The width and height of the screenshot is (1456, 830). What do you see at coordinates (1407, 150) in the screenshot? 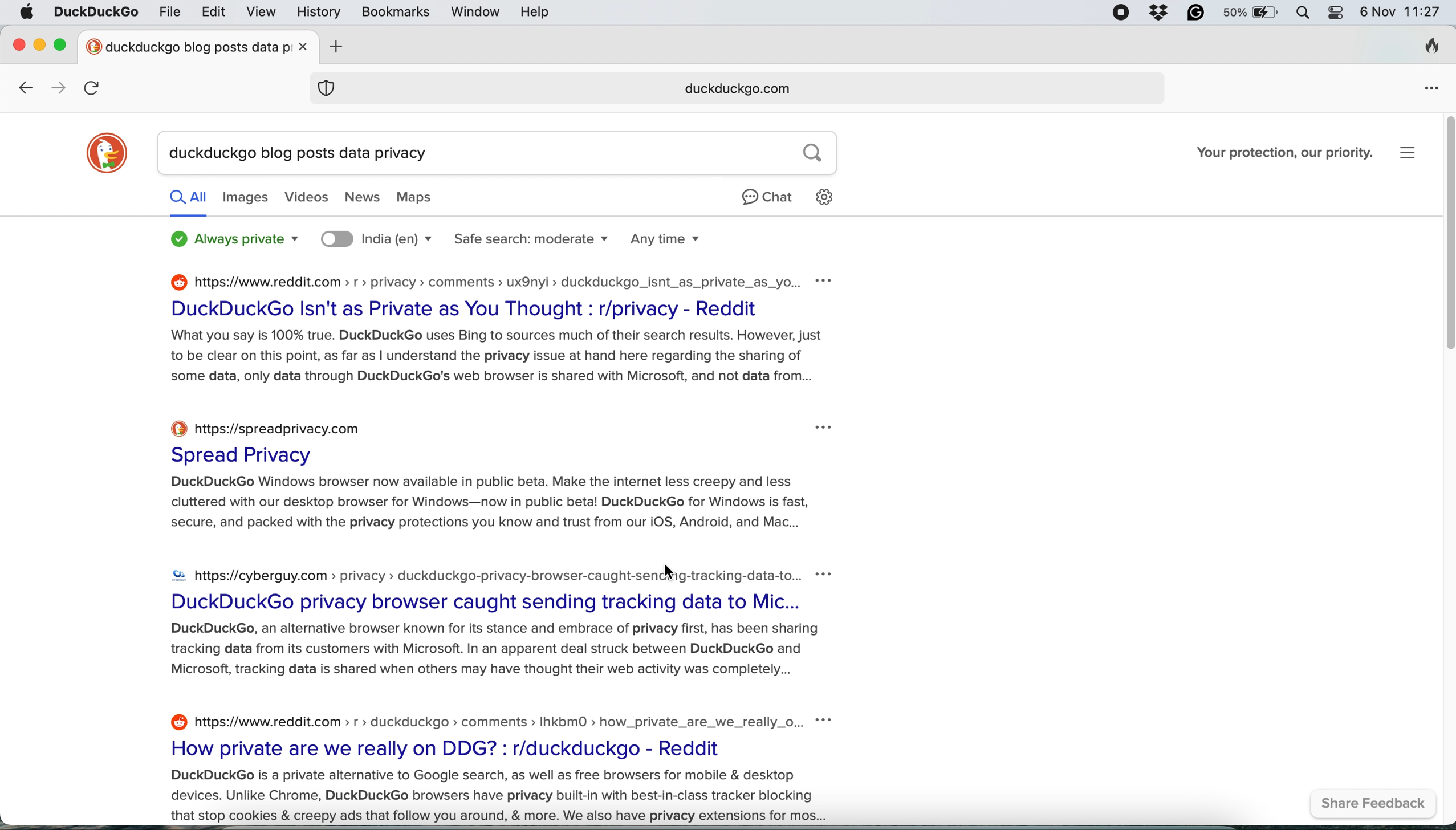
I see `settings` at bounding box center [1407, 150].